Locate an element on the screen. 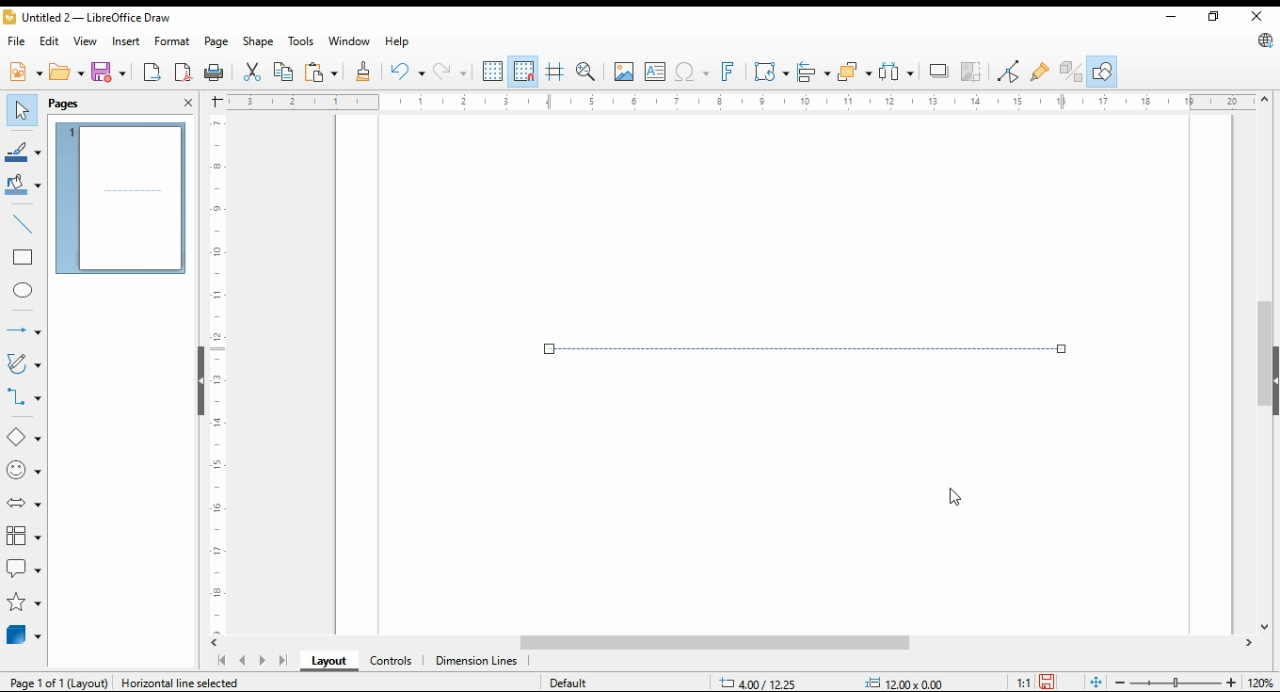 The height and width of the screenshot is (692, 1280). symbol shapes is located at coordinates (25, 469).